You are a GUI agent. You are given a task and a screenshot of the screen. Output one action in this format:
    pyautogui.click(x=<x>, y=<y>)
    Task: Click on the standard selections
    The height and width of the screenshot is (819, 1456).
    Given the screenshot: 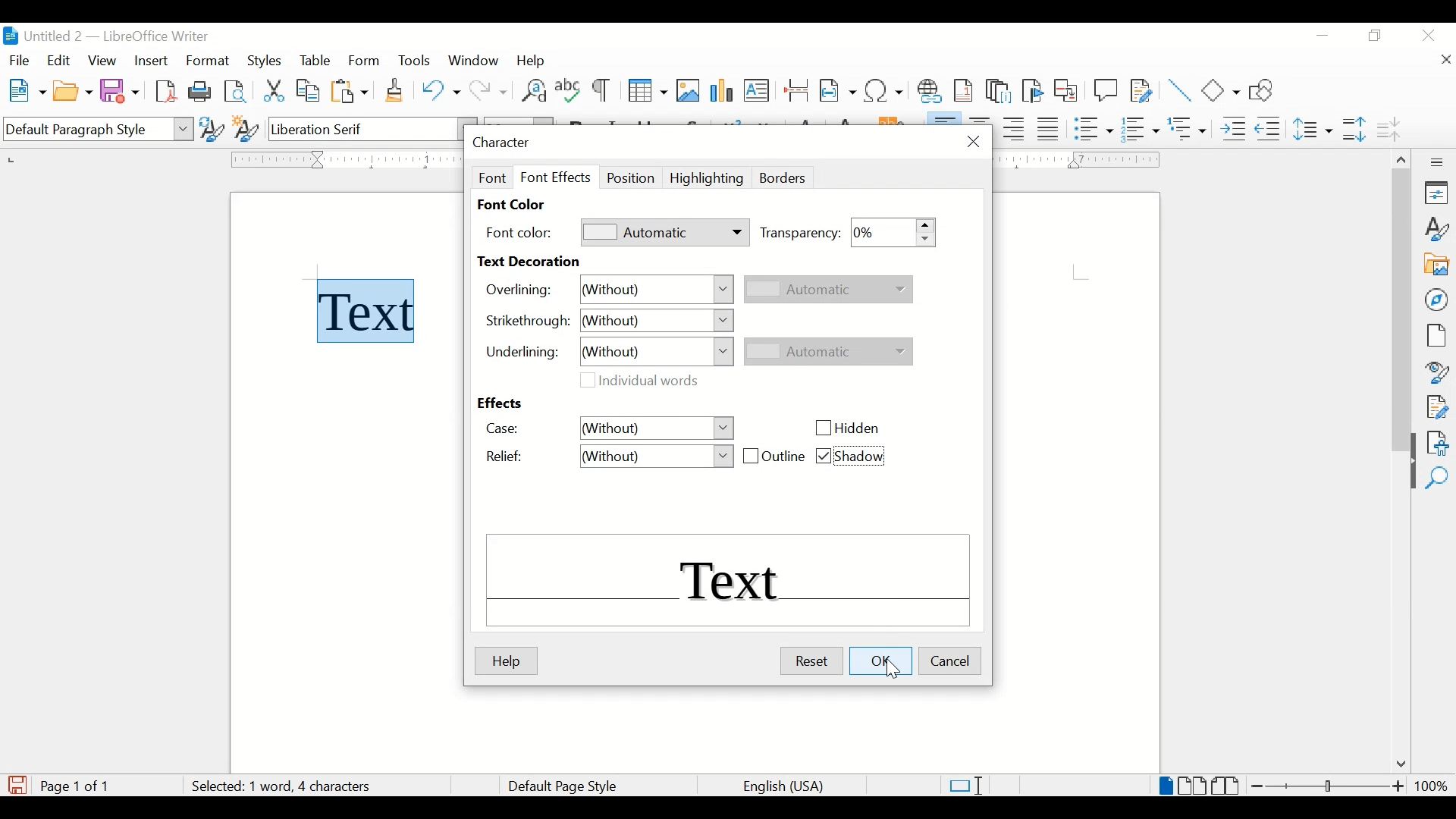 What is the action you would take?
    pyautogui.click(x=965, y=785)
    